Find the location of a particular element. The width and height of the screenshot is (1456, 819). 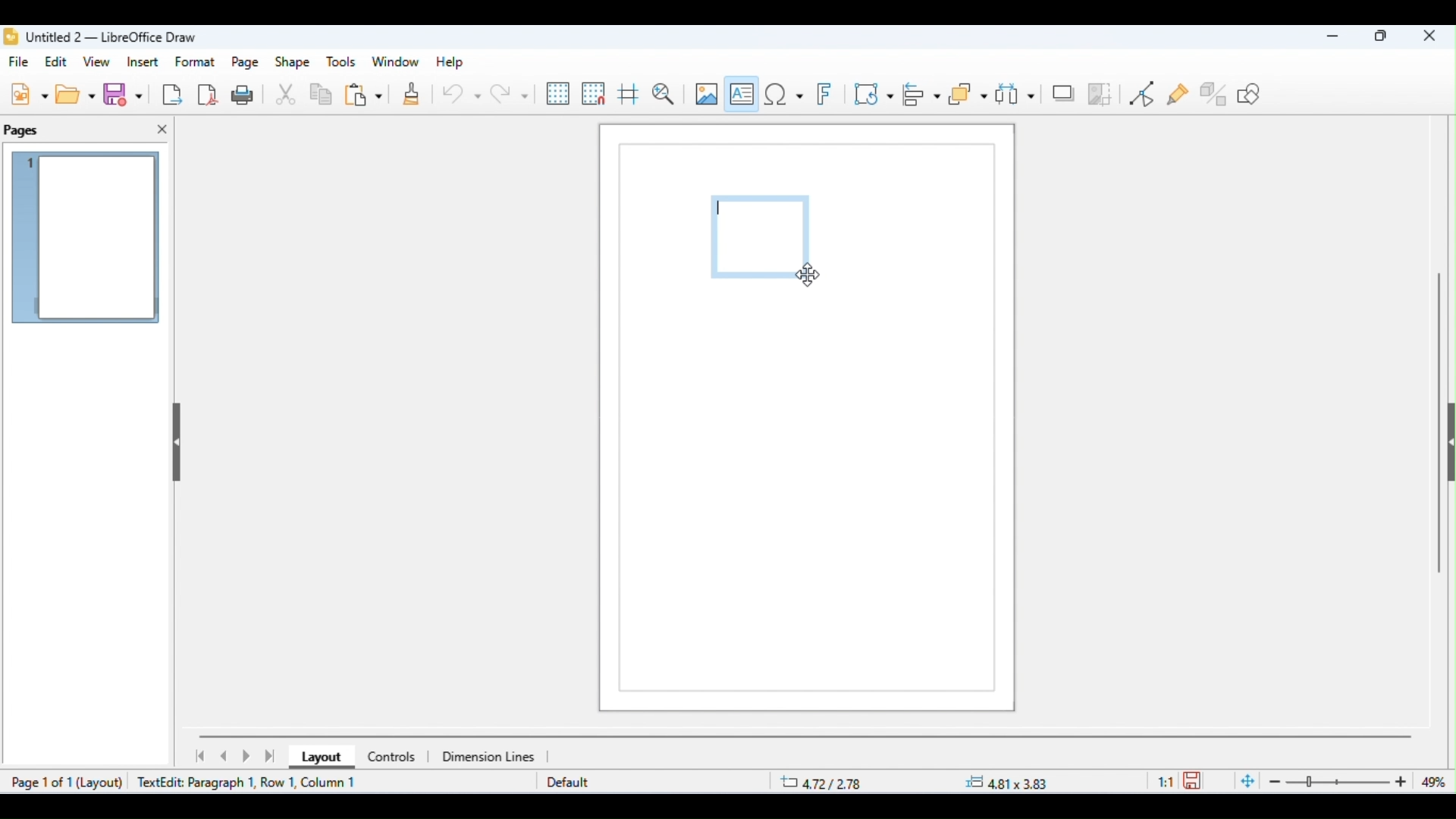

new is located at coordinates (29, 93).